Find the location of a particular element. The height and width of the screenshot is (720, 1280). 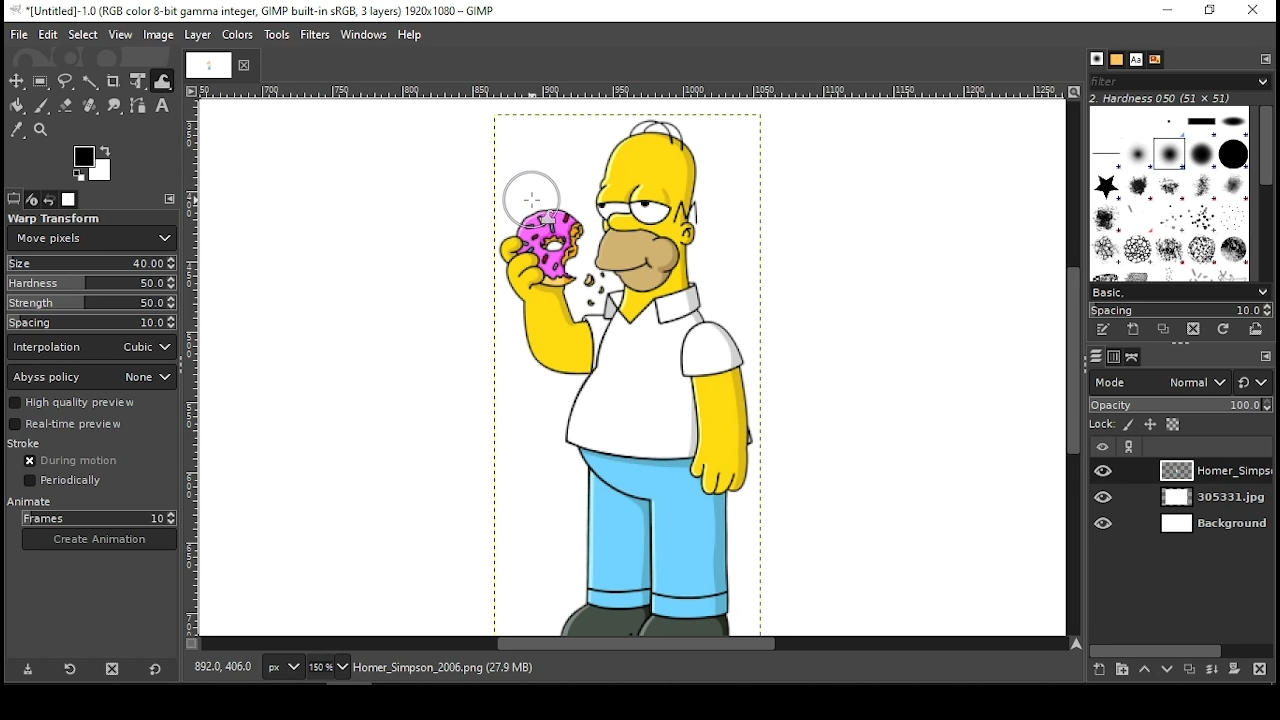

erase tool is located at coordinates (68, 103).